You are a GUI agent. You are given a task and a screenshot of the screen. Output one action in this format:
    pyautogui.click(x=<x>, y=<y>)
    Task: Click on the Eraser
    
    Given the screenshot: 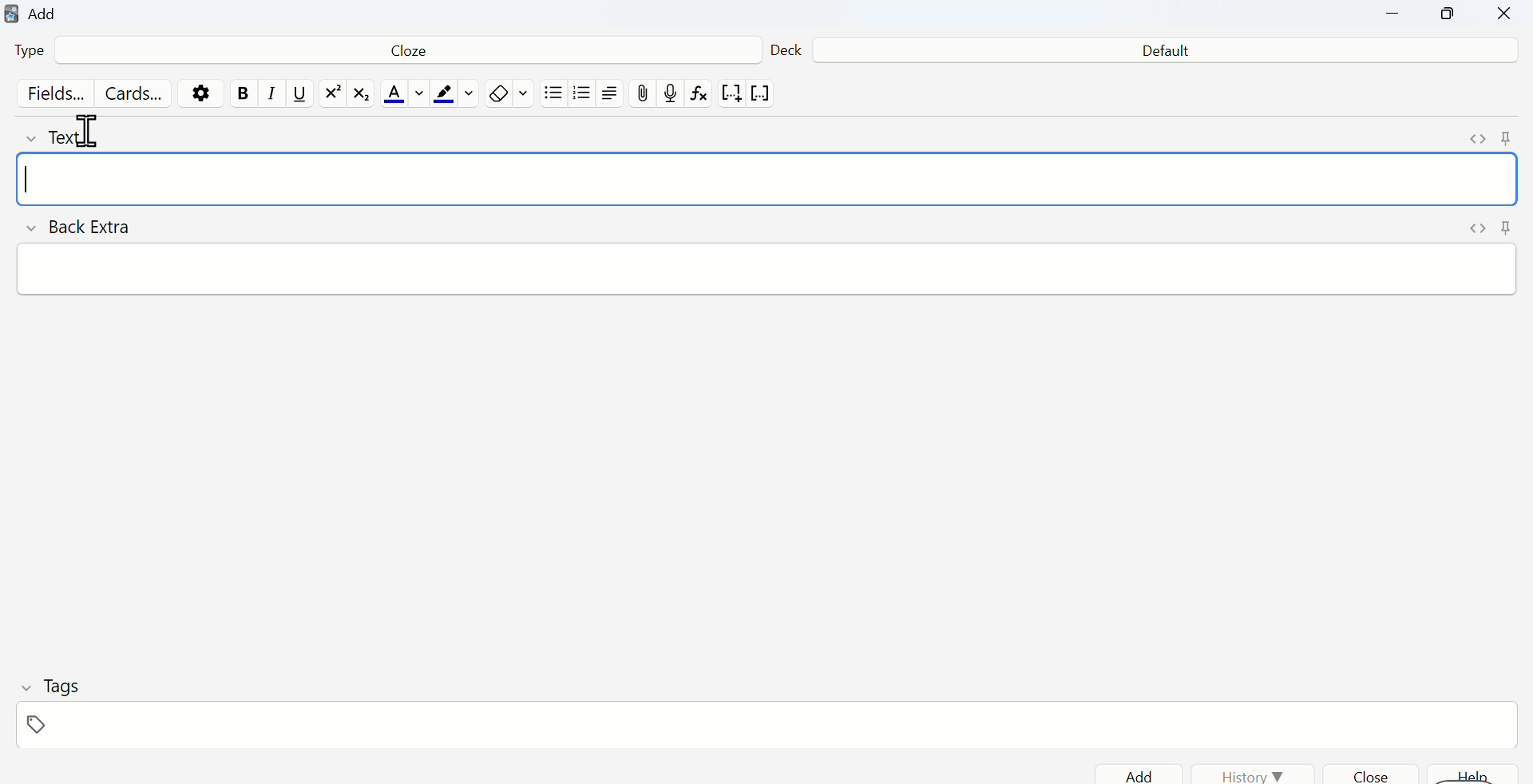 What is the action you would take?
    pyautogui.click(x=509, y=94)
    